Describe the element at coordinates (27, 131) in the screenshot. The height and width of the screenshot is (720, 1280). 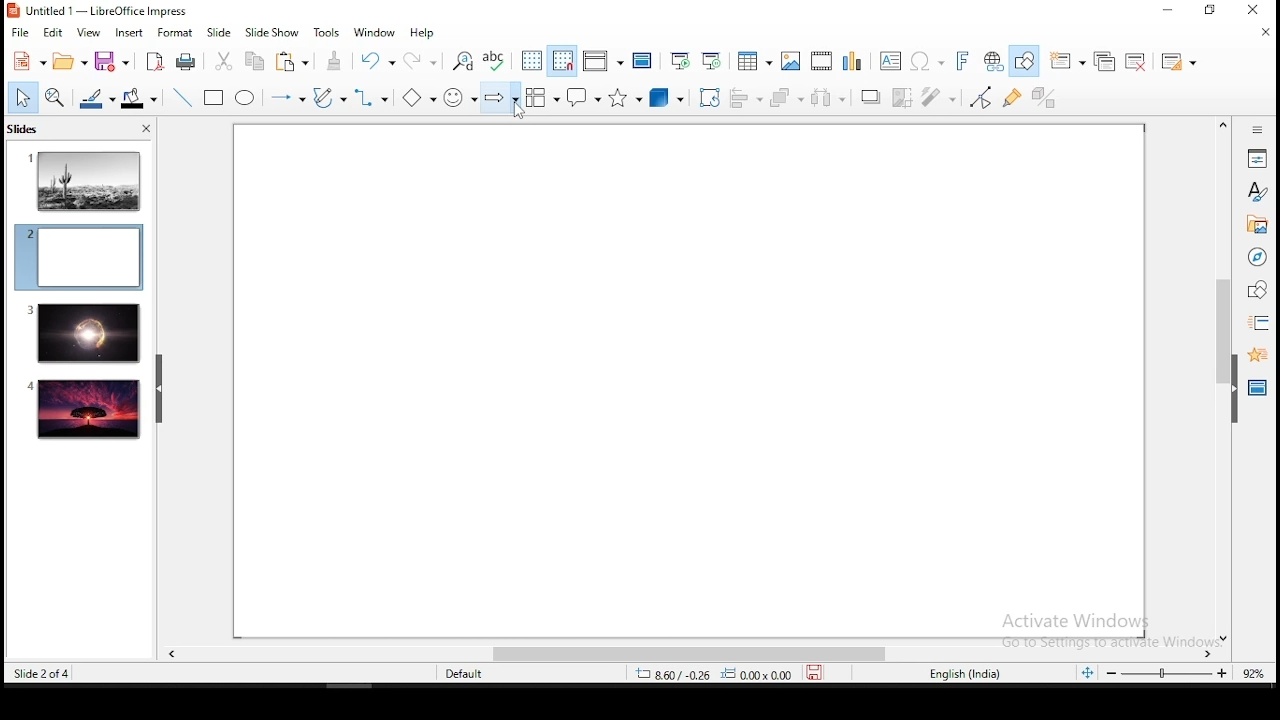
I see `slides` at that location.